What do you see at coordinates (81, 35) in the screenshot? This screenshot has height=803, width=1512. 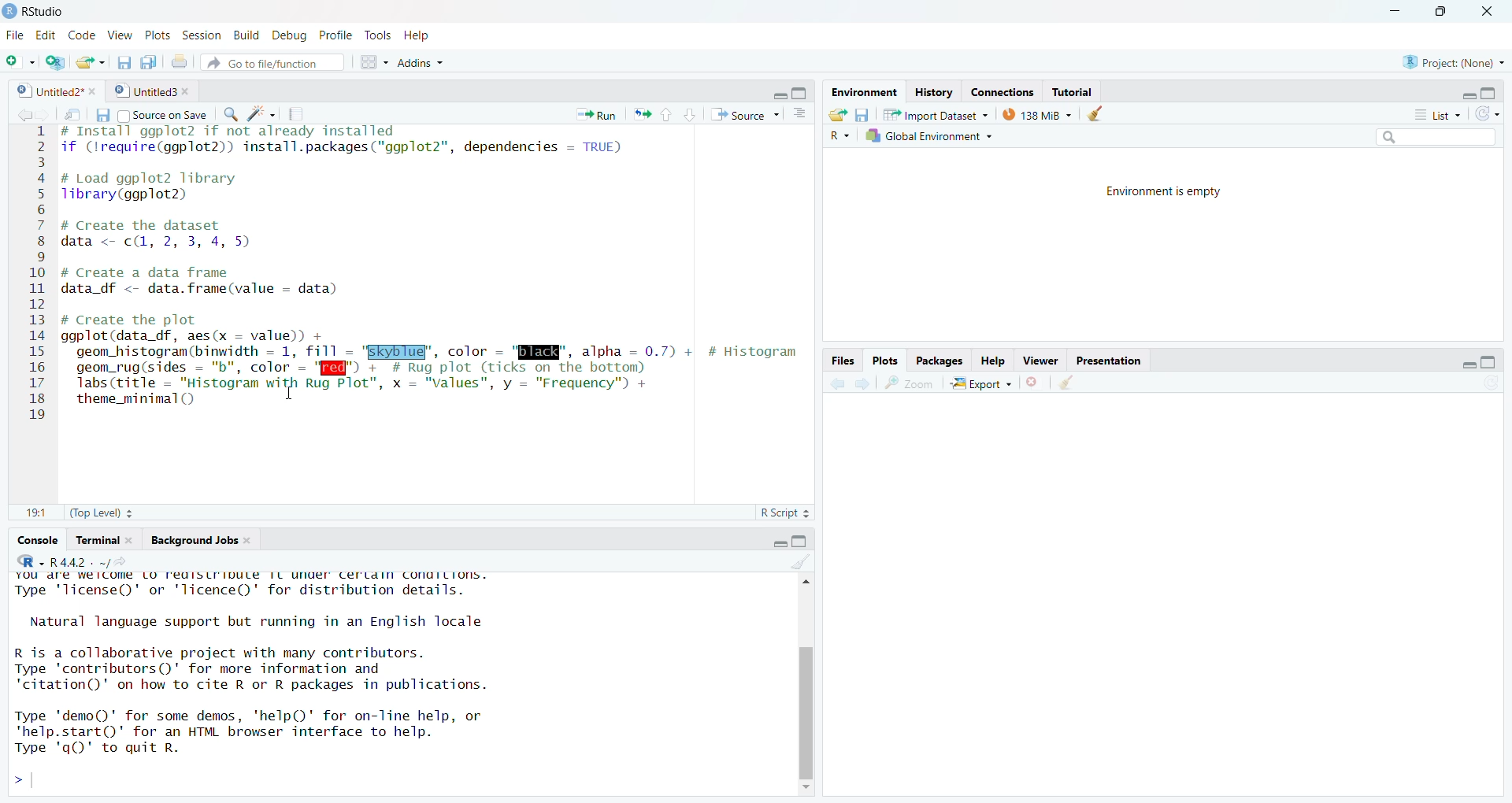 I see `Code` at bounding box center [81, 35].